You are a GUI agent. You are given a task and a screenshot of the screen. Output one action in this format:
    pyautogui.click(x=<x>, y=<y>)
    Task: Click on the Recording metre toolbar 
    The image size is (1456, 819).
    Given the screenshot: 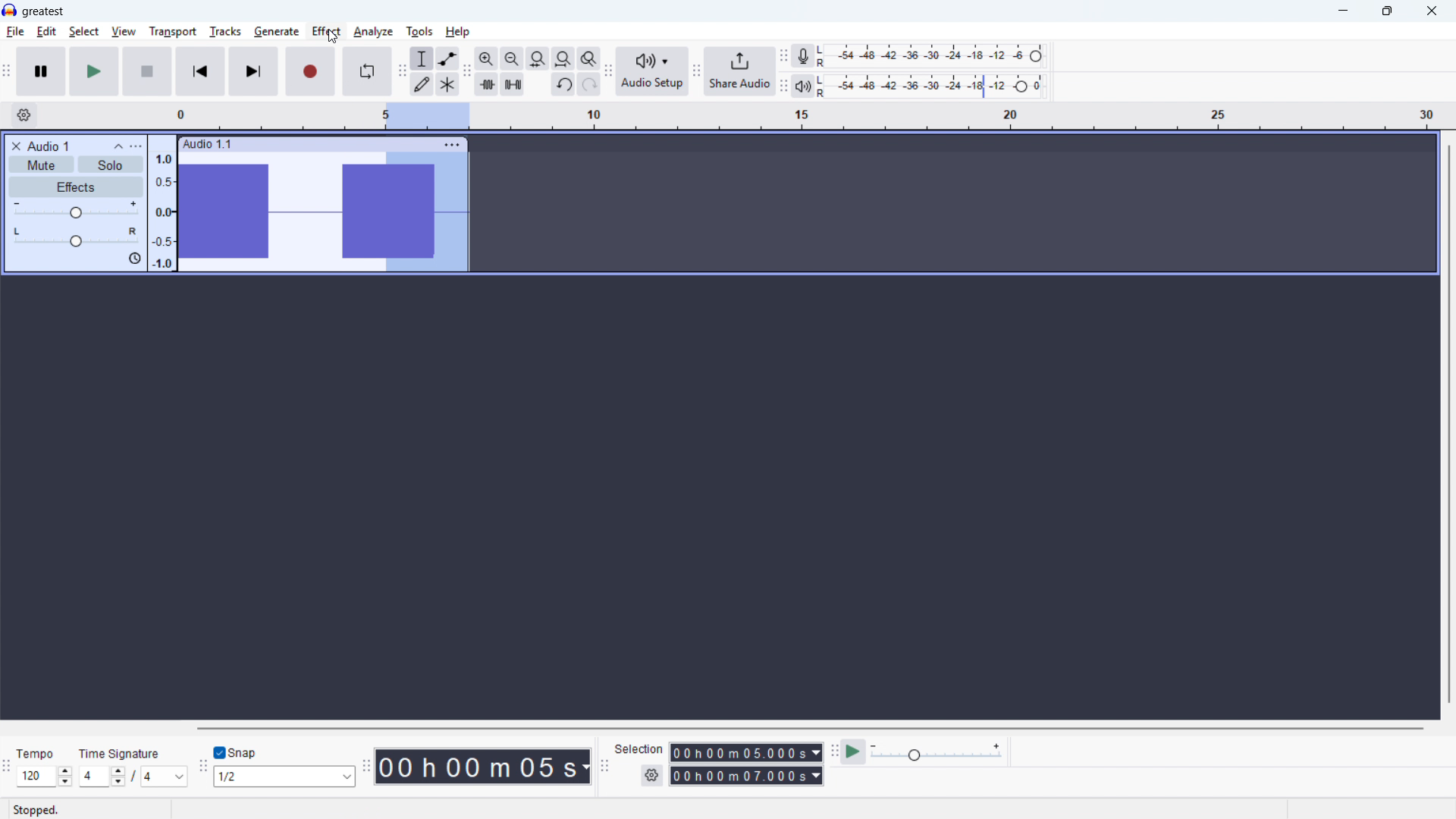 What is the action you would take?
    pyautogui.click(x=783, y=57)
    